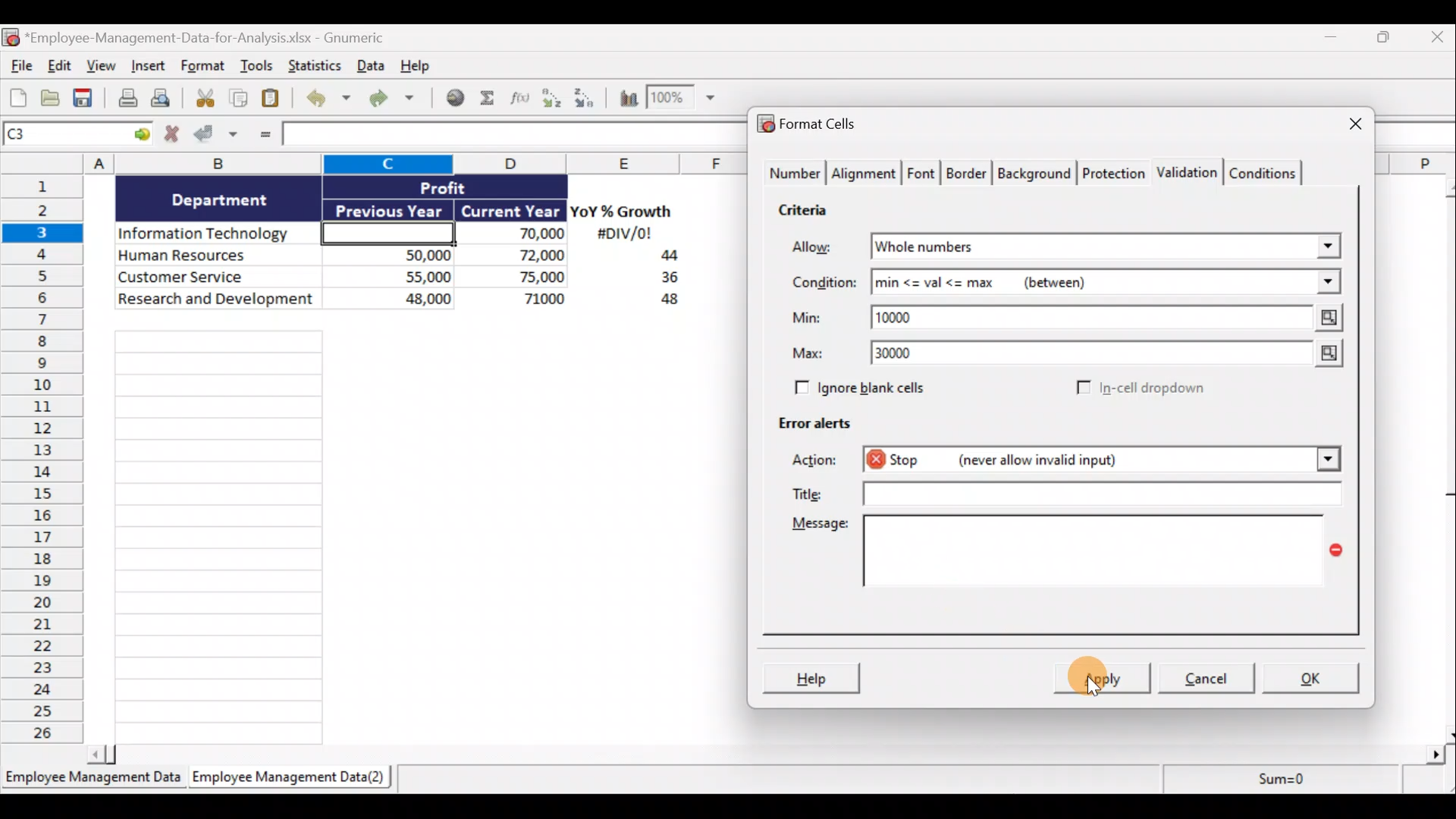  What do you see at coordinates (1325, 242) in the screenshot?
I see `Allow drop down` at bounding box center [1325, 242].